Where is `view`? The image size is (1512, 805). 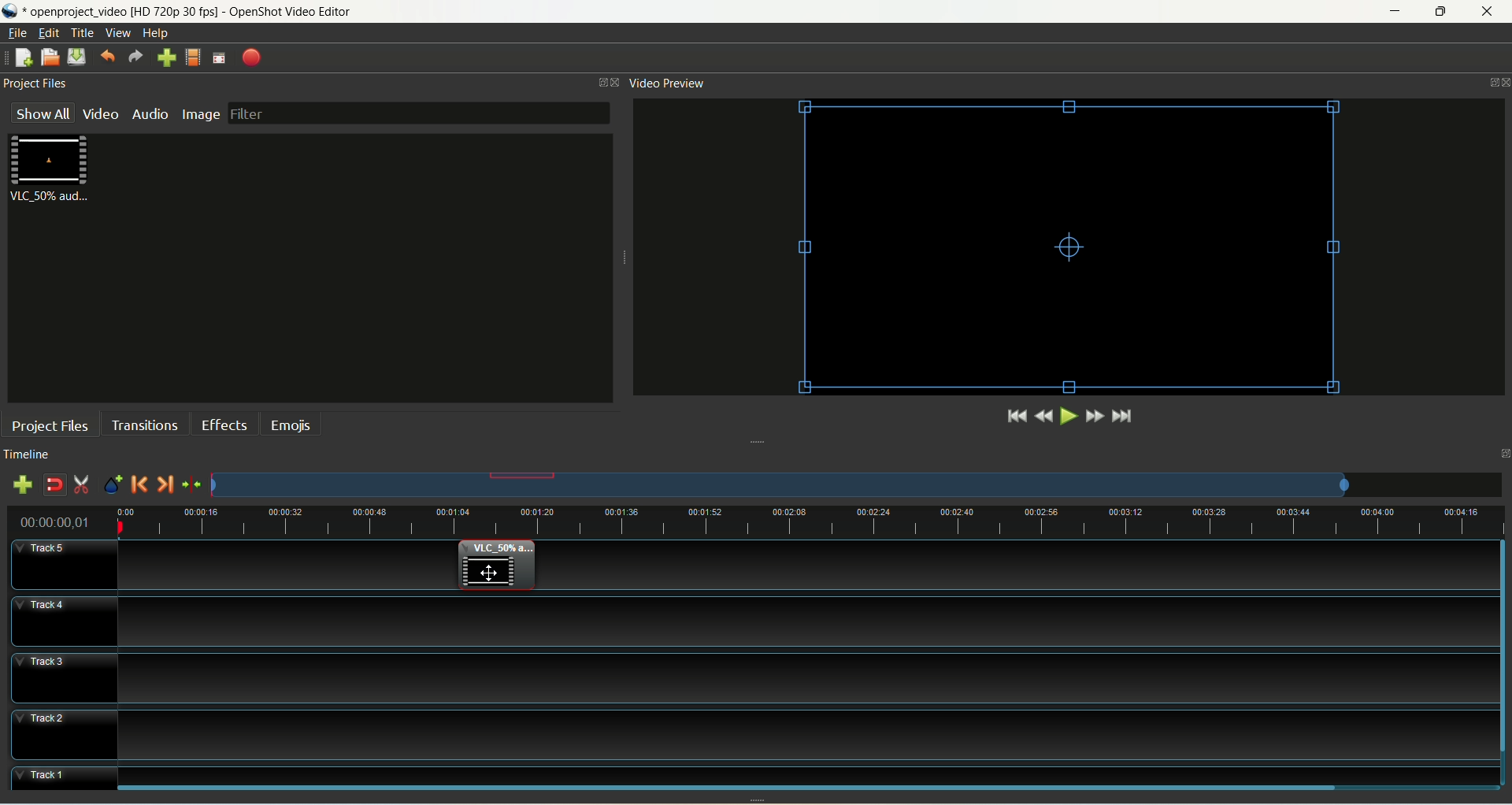 view is located at coordinates (119, 32).